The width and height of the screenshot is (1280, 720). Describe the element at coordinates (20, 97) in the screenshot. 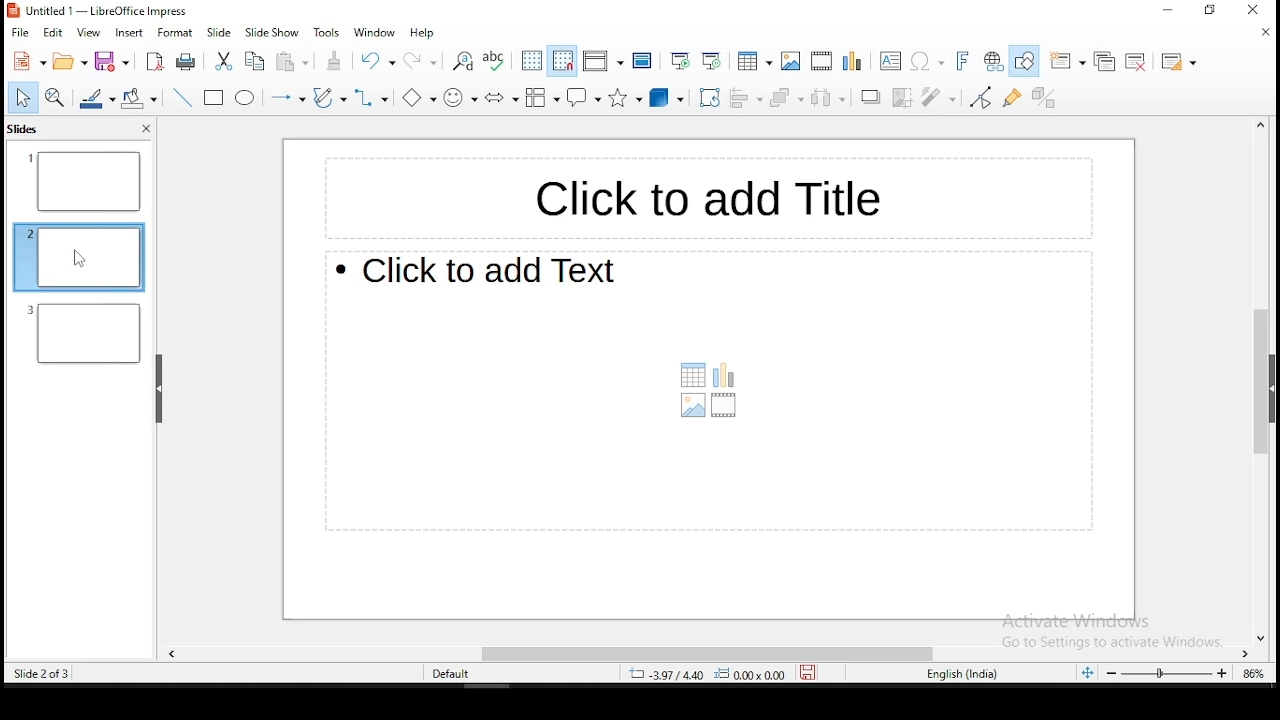

I see `select tool` at that location.